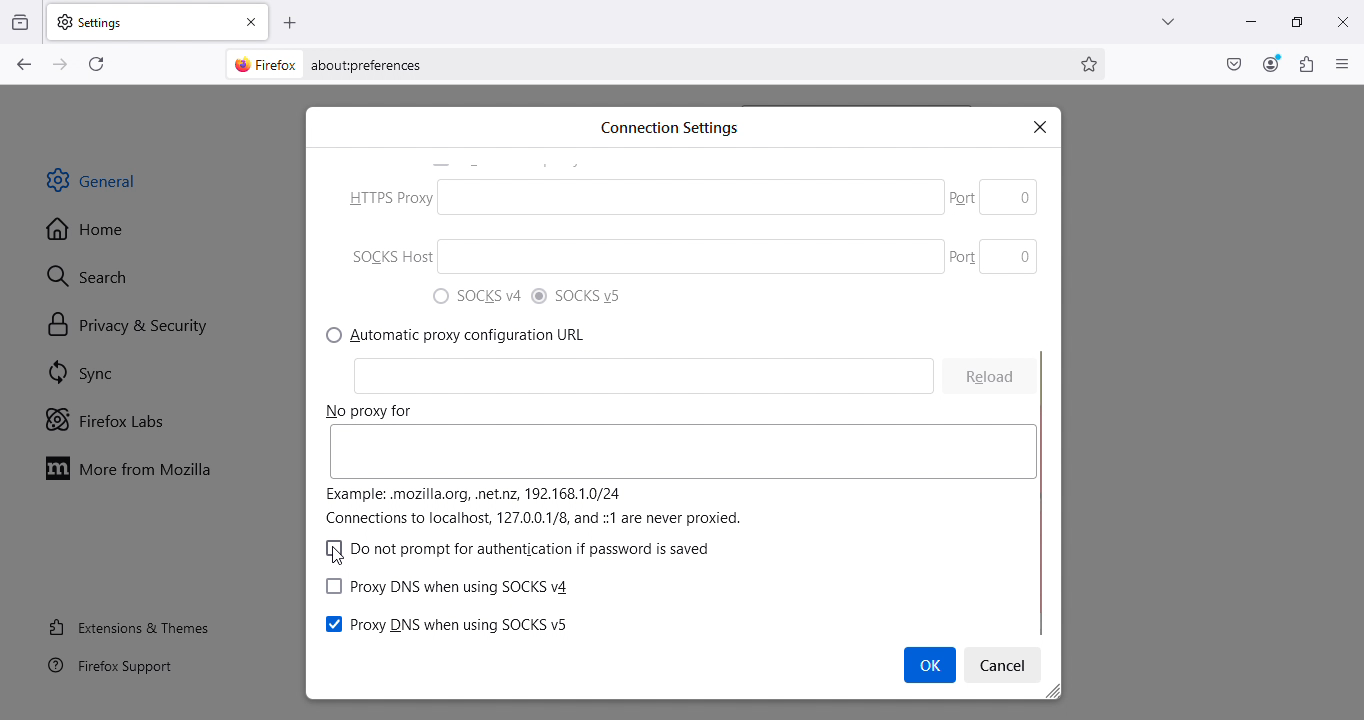 The height and width of the screenshot is (720, 1364). I want to click on Save to pocket, so click(1235, 64).